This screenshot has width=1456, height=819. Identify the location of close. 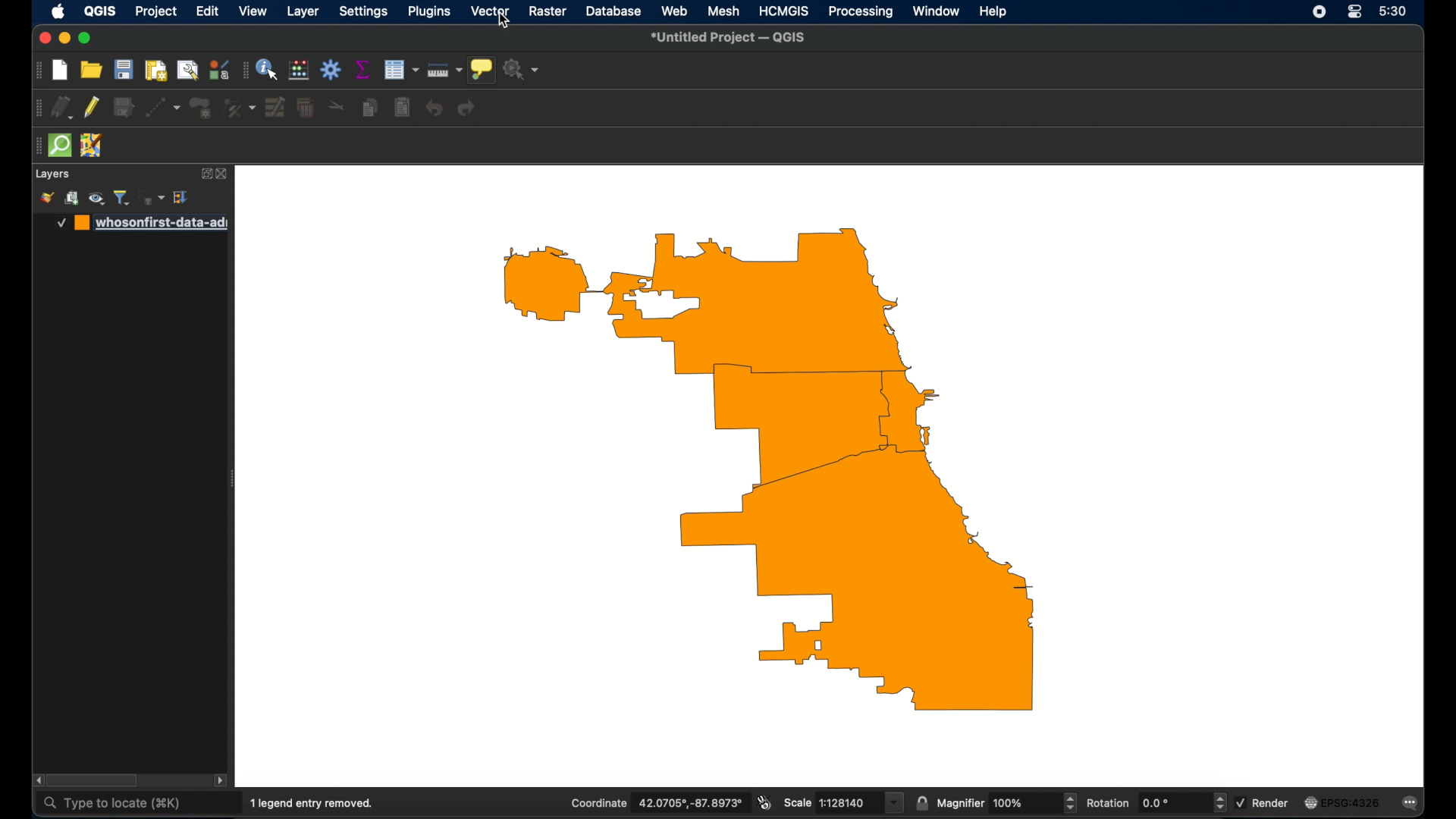
(224, 174).